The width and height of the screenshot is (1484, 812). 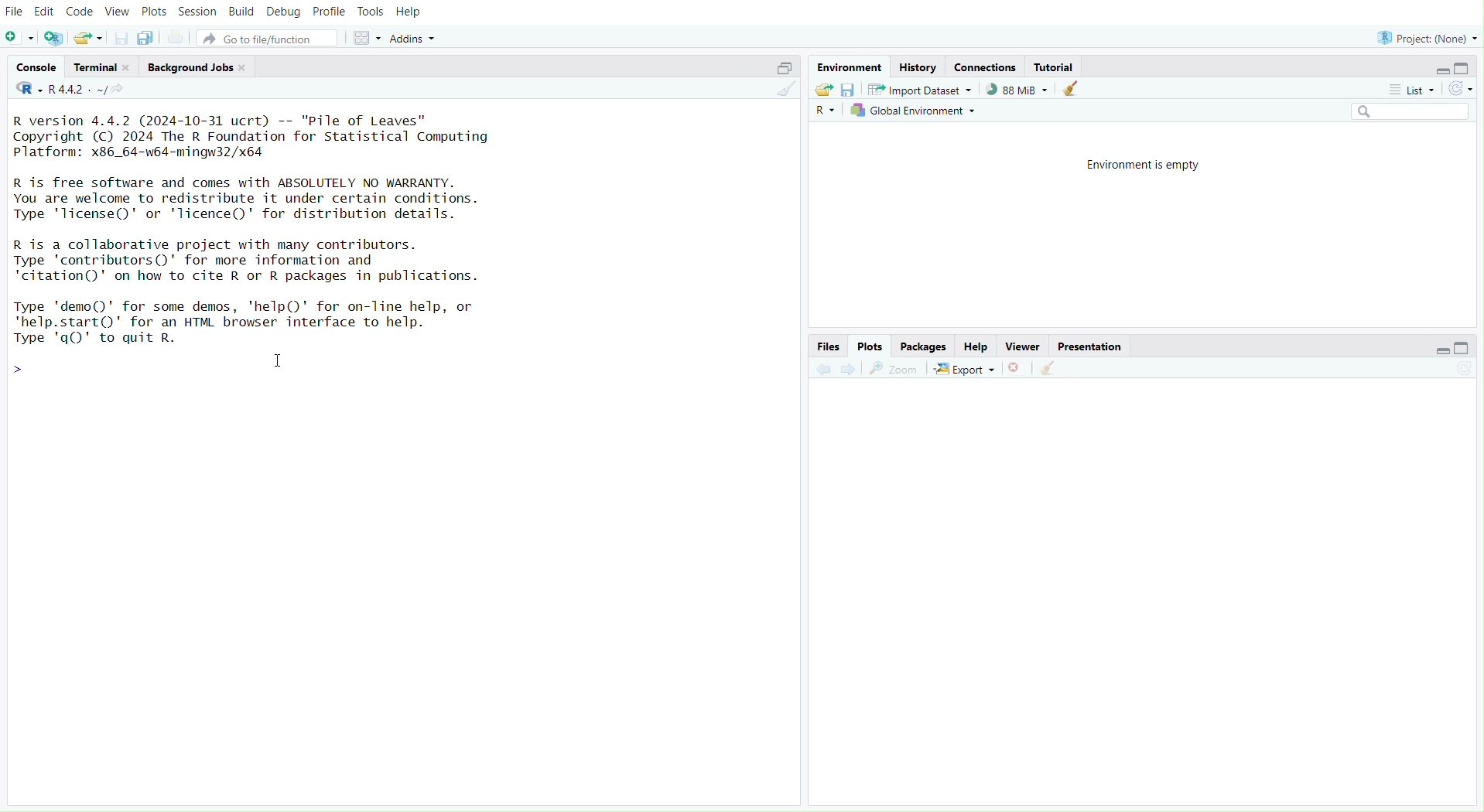 What do you see at coordinates (1055, 66) in the screenshot?
I see `Tutorial` at bounding box center [1055, 66].